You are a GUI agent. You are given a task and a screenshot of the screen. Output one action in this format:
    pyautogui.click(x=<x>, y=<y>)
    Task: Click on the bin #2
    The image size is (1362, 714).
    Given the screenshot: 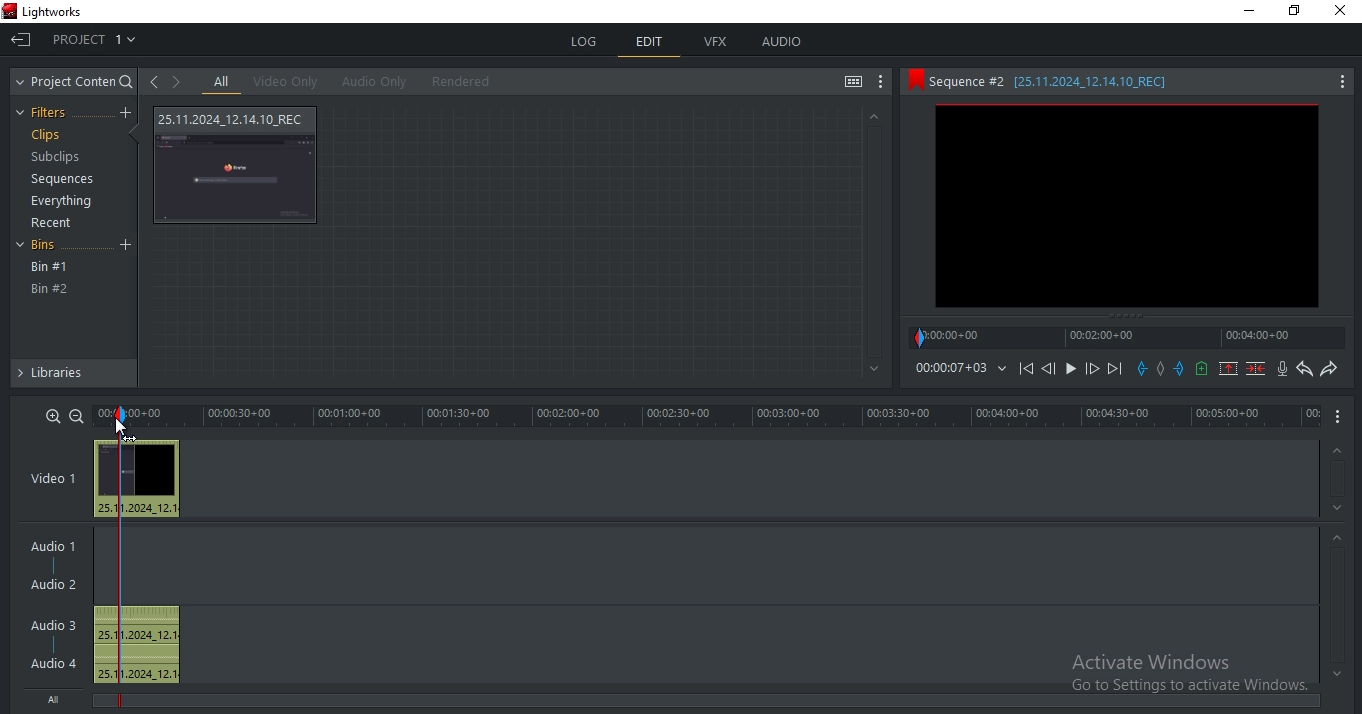 What is the action you would take?
    pyautogui.click(x=50, y=289)
    